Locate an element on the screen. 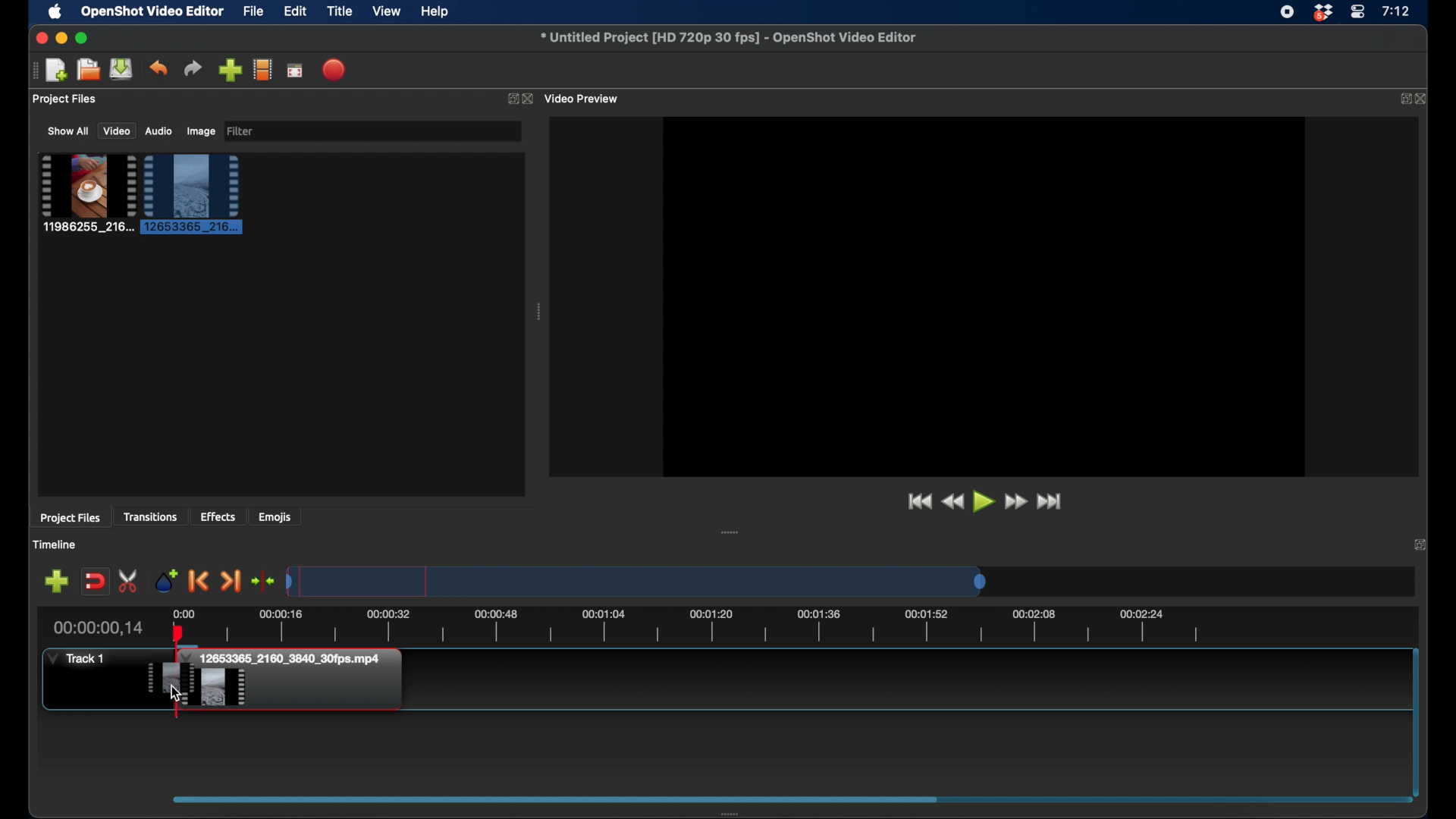 Image resolution: width=1456 pixels, height=819 pixels. audio is located at coordinates (158, 131).